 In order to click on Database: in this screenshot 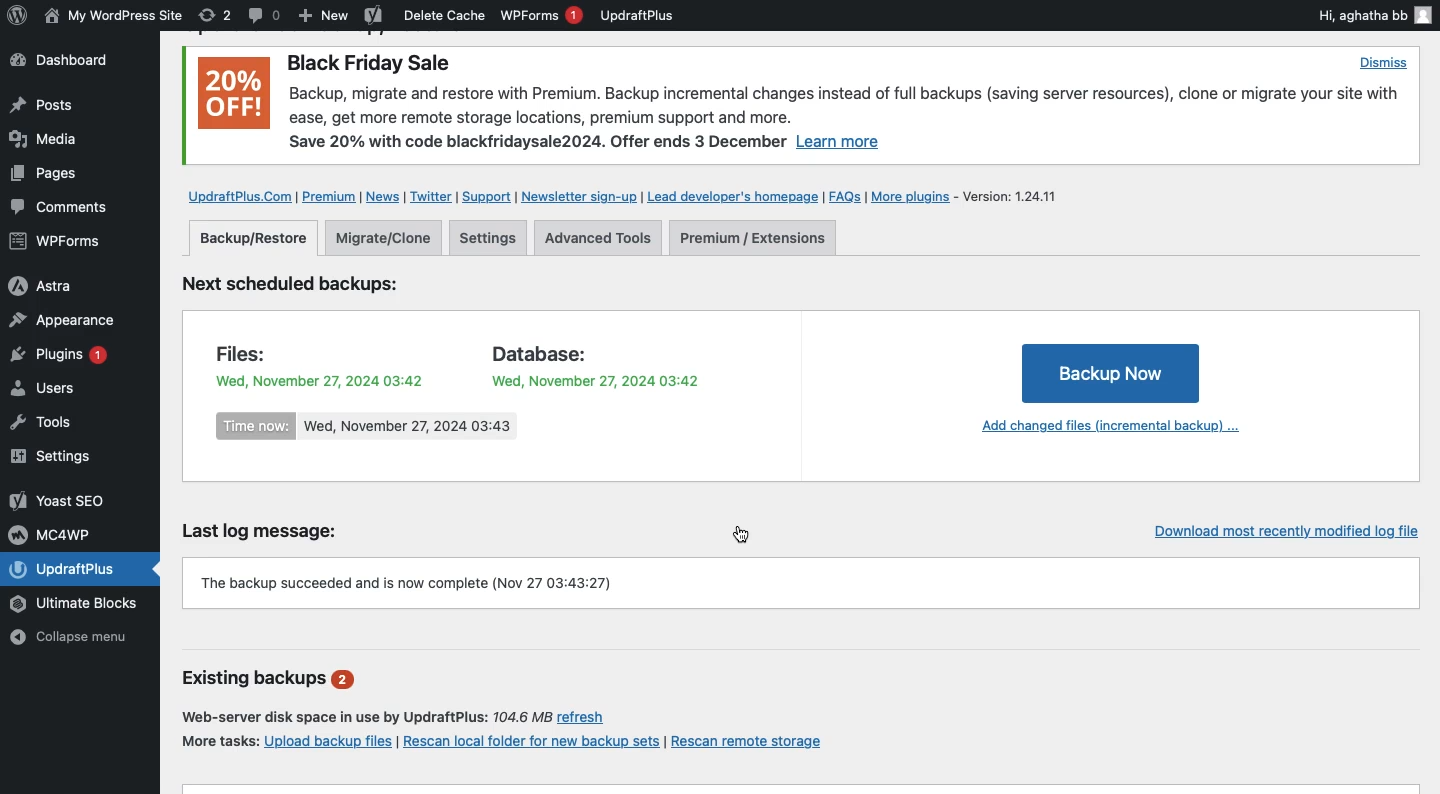, I will do `click(577, 351)`.